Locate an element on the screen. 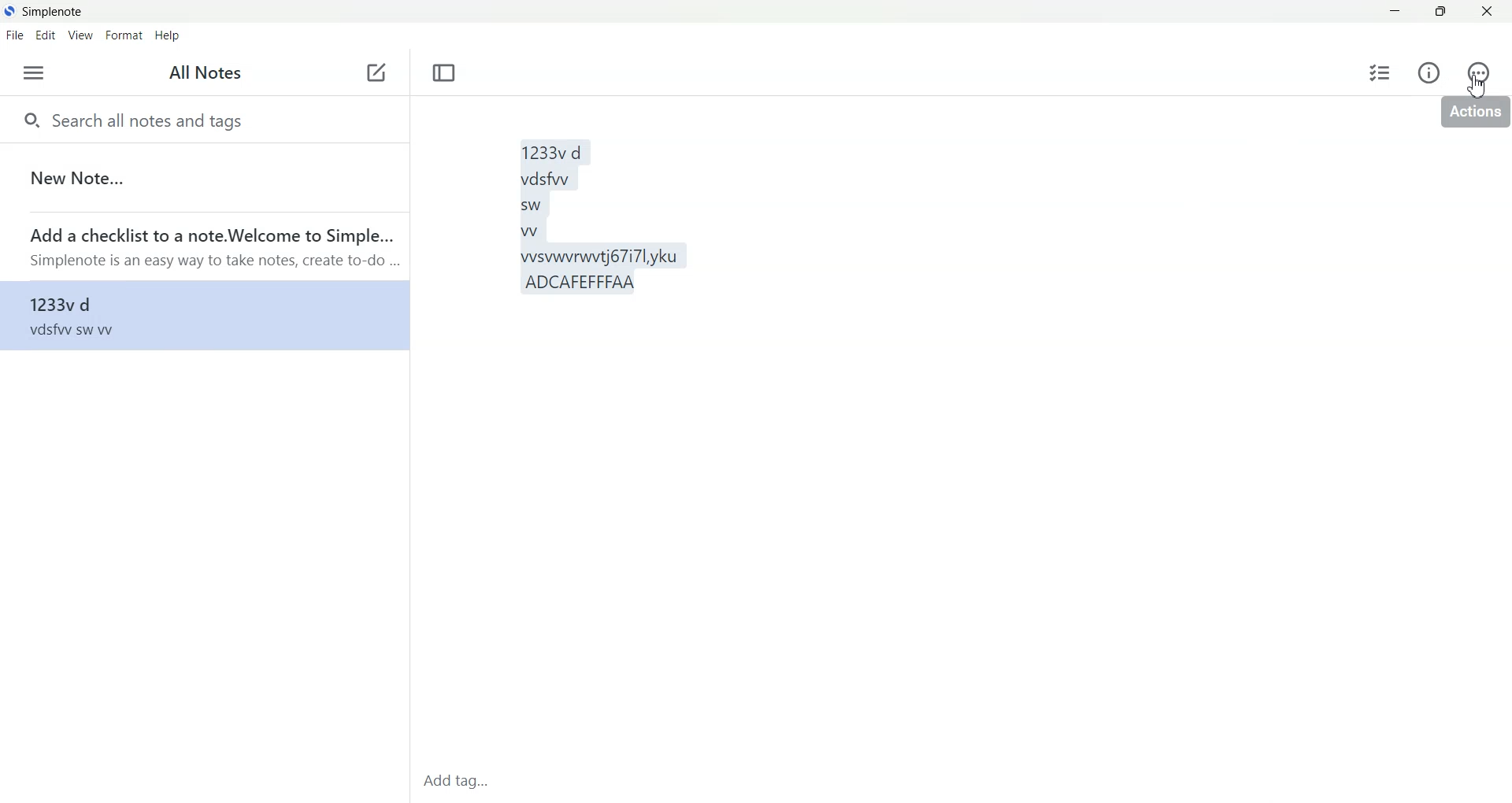 The width and height of the screenshot is (1512, 803). View is located at coordinates (79, 36).